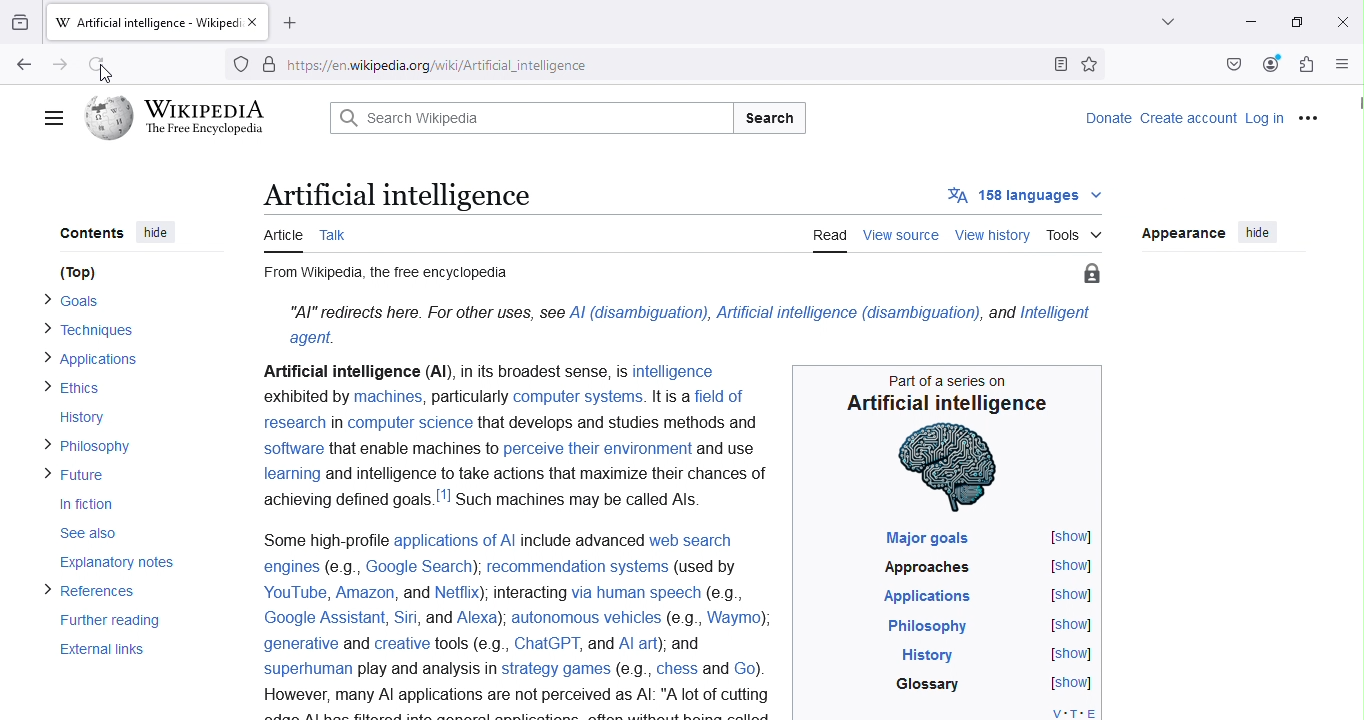 Image resolution: width=1364 pixels, height=720 pixels. What do you see at coordinates (835, 314) in the screenshot?
I see `Al (disambiguation), Artificial intelligence (disambiguation), and Intelligent` at bounding box center [835, 314].